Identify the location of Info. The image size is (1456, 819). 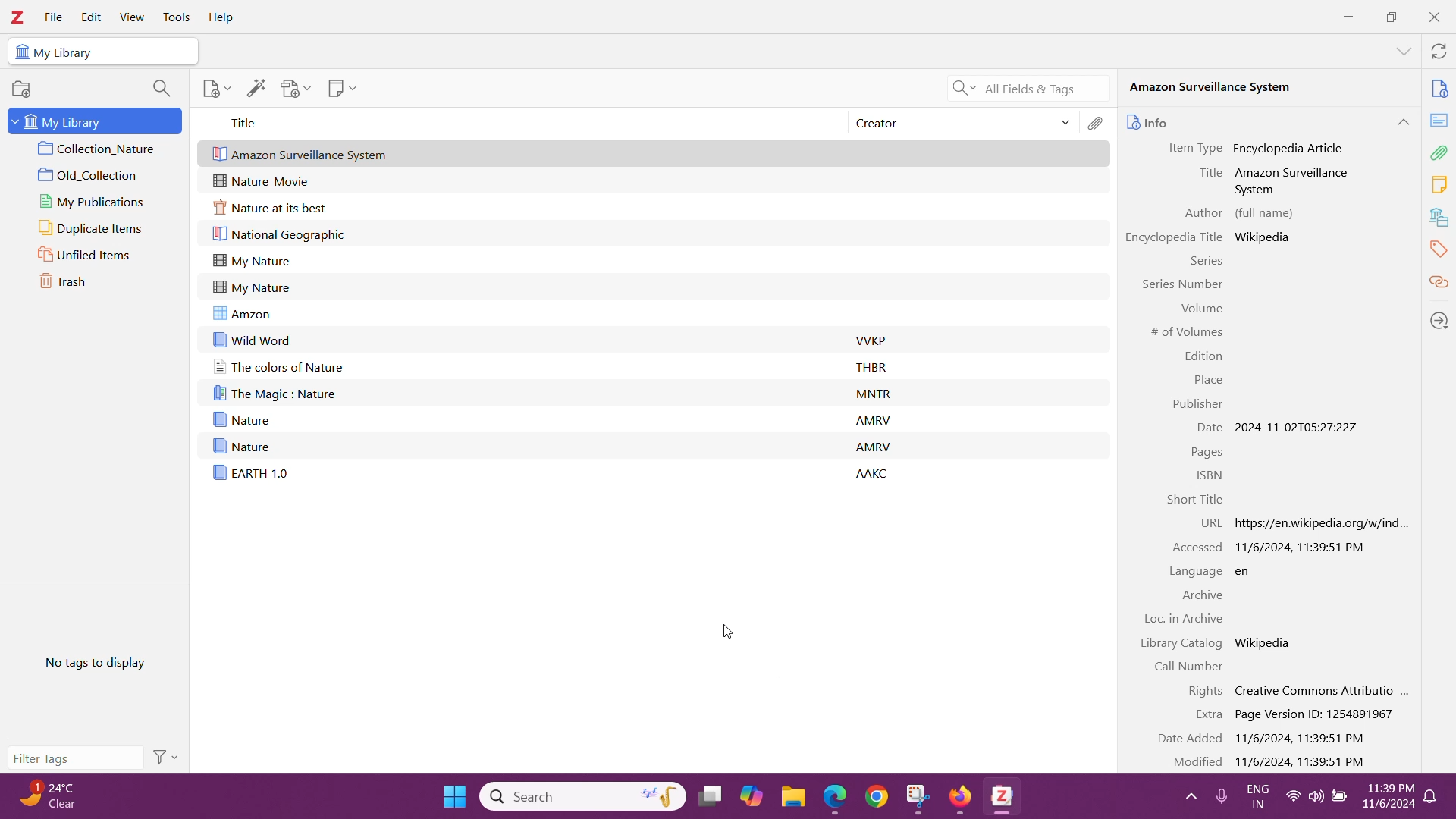
(1219, 122).